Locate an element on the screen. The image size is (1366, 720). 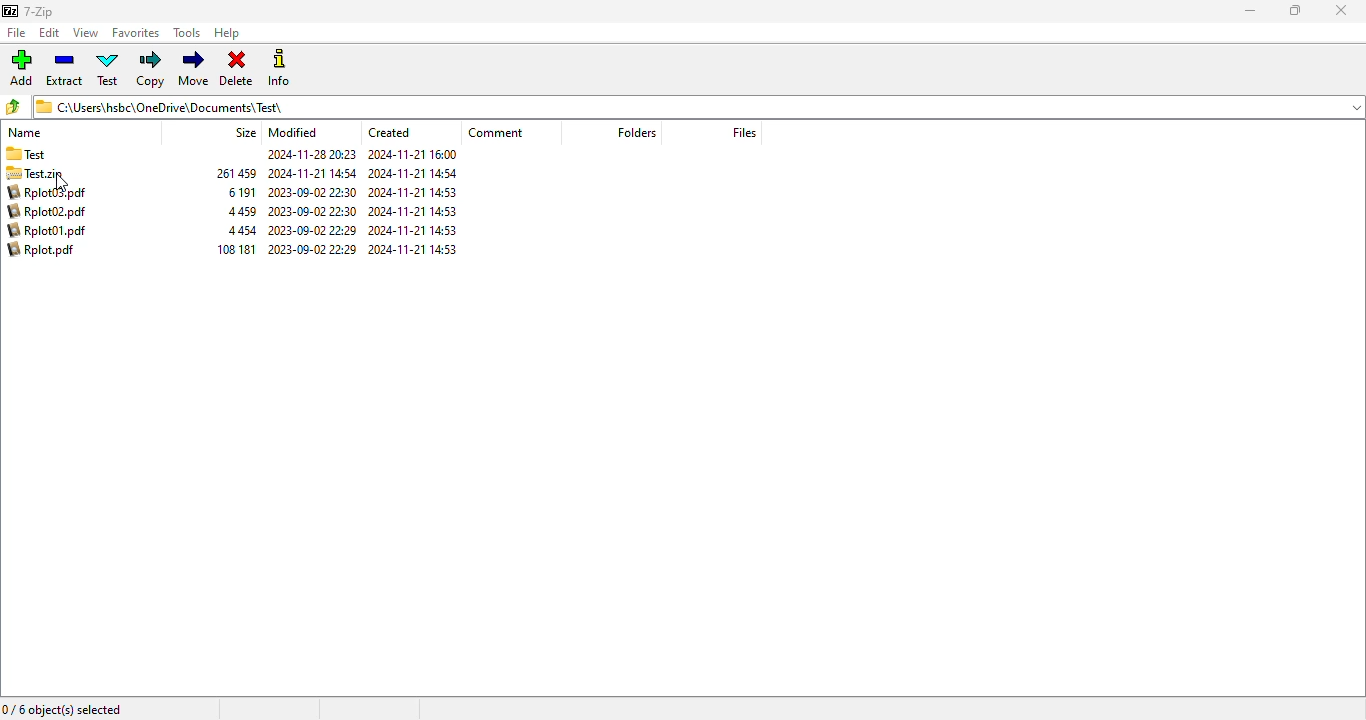
2023-09-02 22:29 is located at coordinates (315, 231).